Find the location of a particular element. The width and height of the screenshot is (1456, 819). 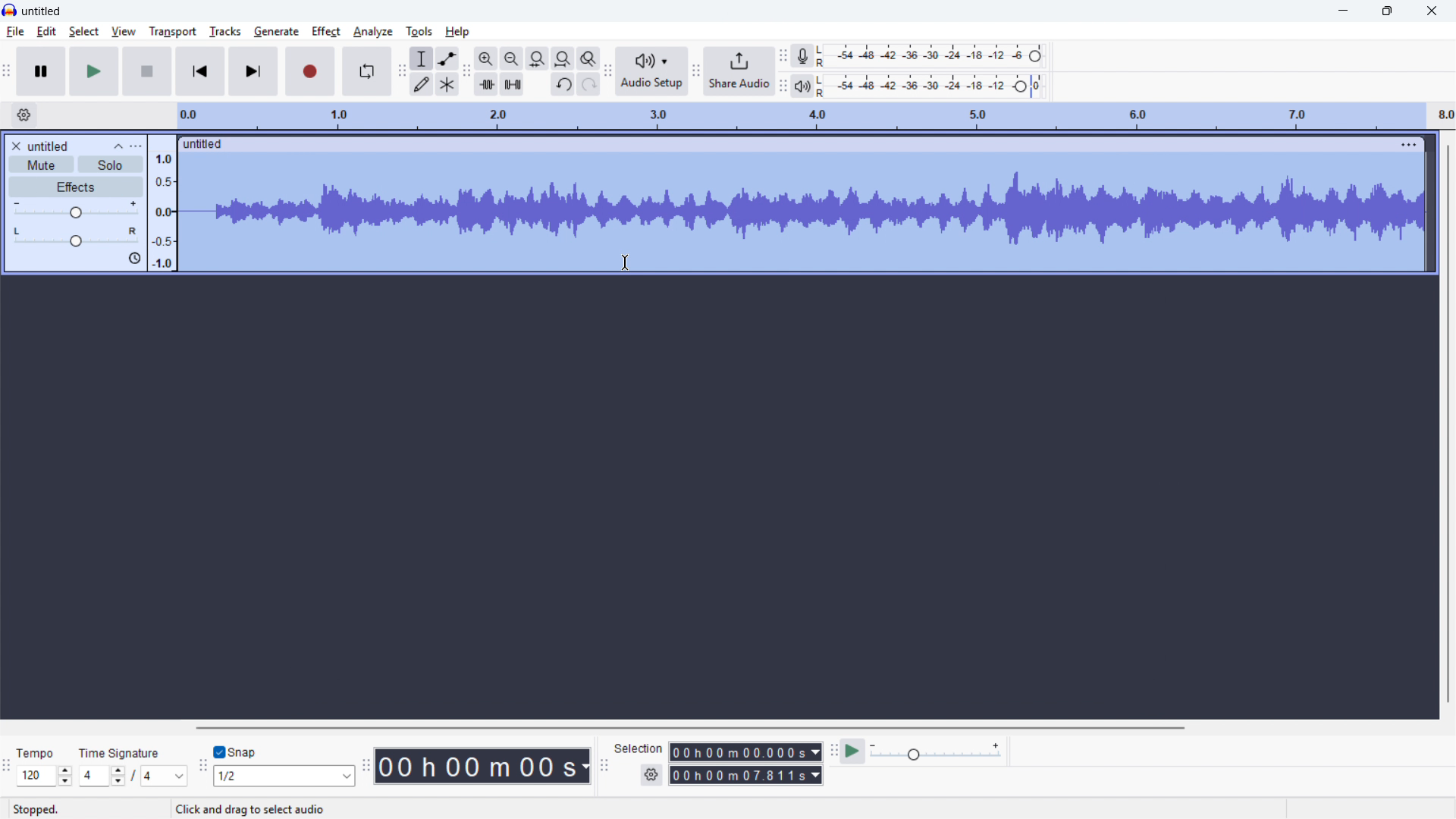

Share audio  is located at coordinates (738, 71).